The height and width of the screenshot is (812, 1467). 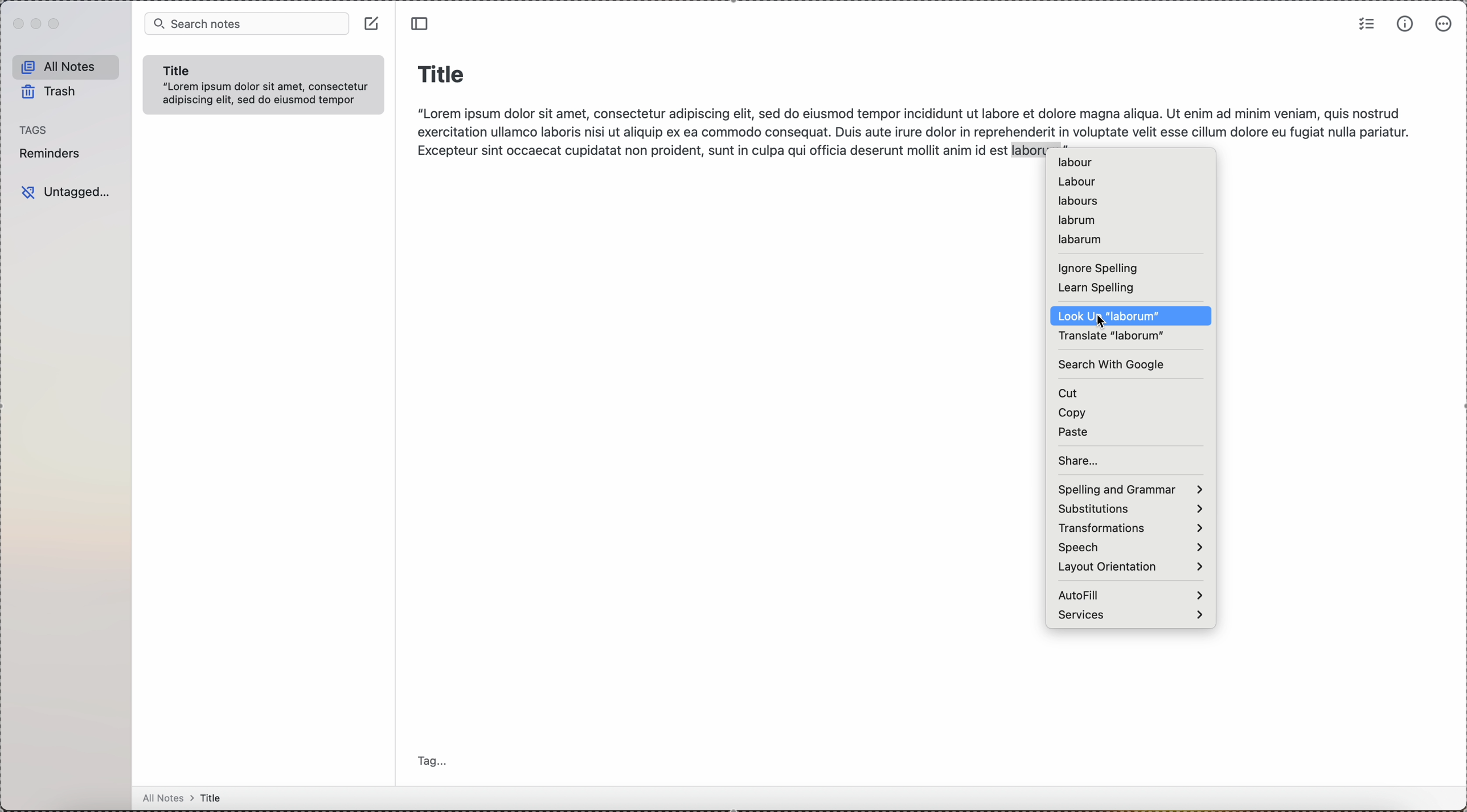 What do you see at coordinates (1078, 181) in the screenshot?
I see `labour` at bounding box center [1078, 181].